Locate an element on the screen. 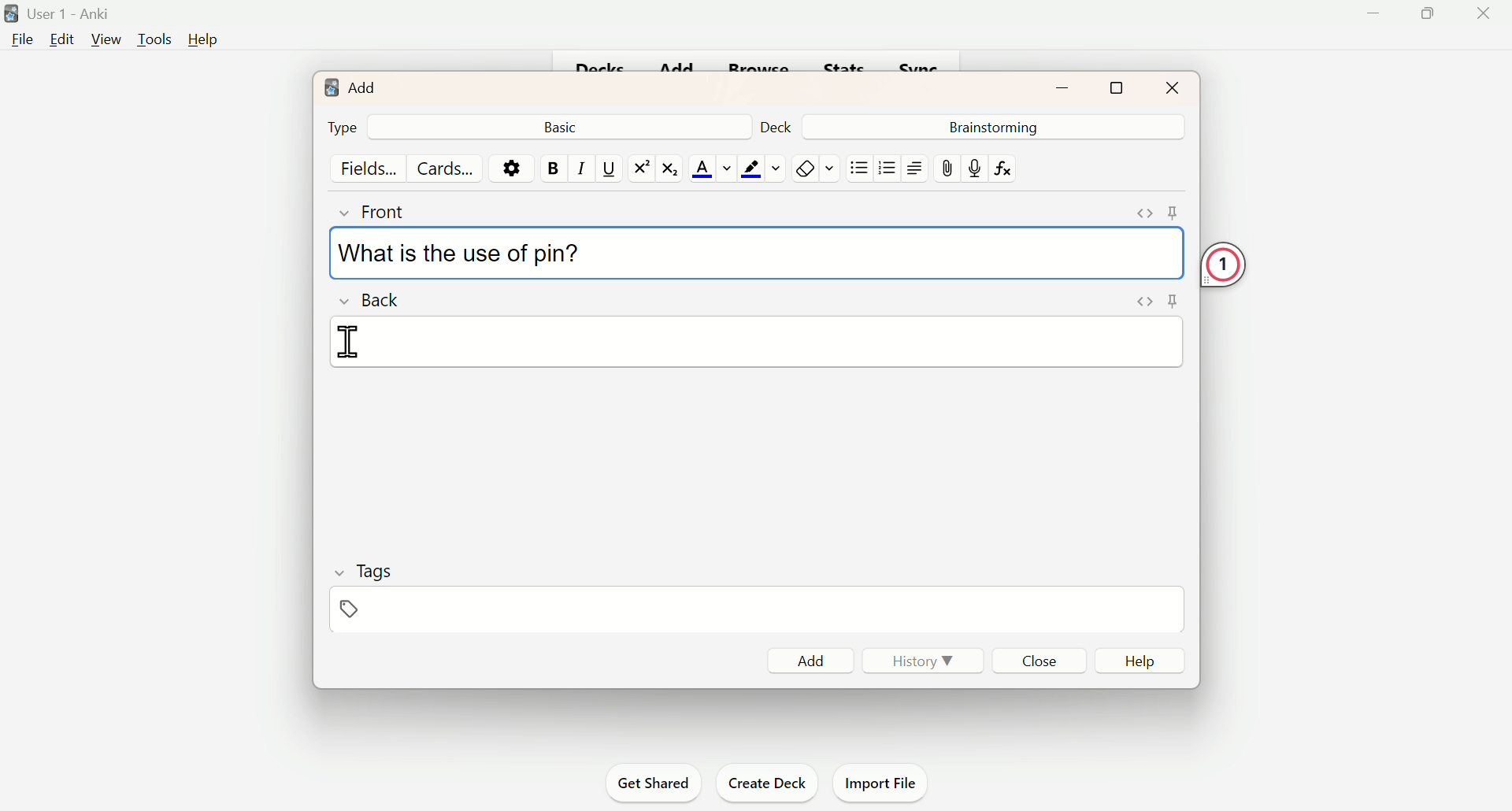   is located at coordinates (24, 39).